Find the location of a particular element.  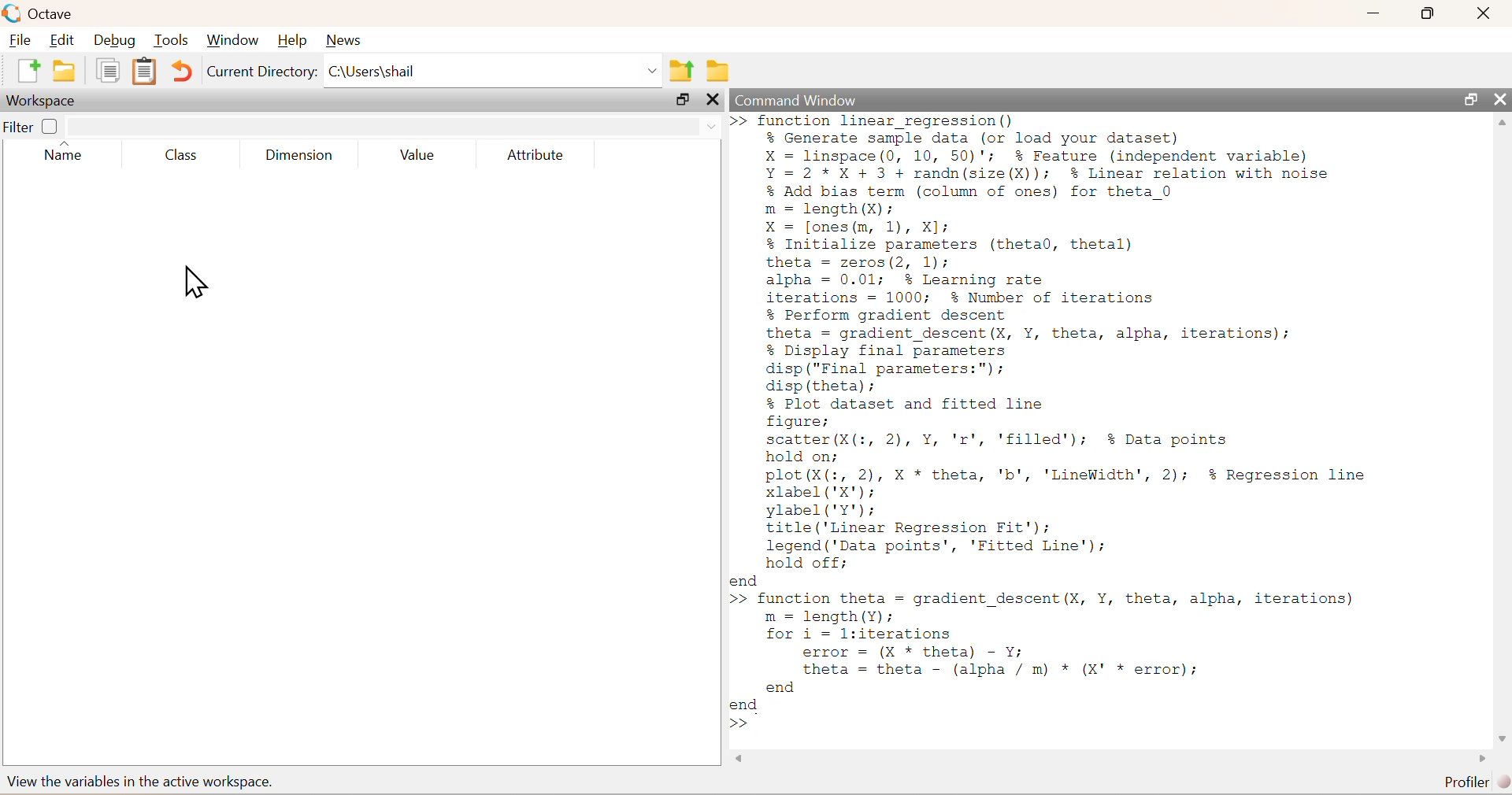

parent directory is located at coordinates (682, 70).